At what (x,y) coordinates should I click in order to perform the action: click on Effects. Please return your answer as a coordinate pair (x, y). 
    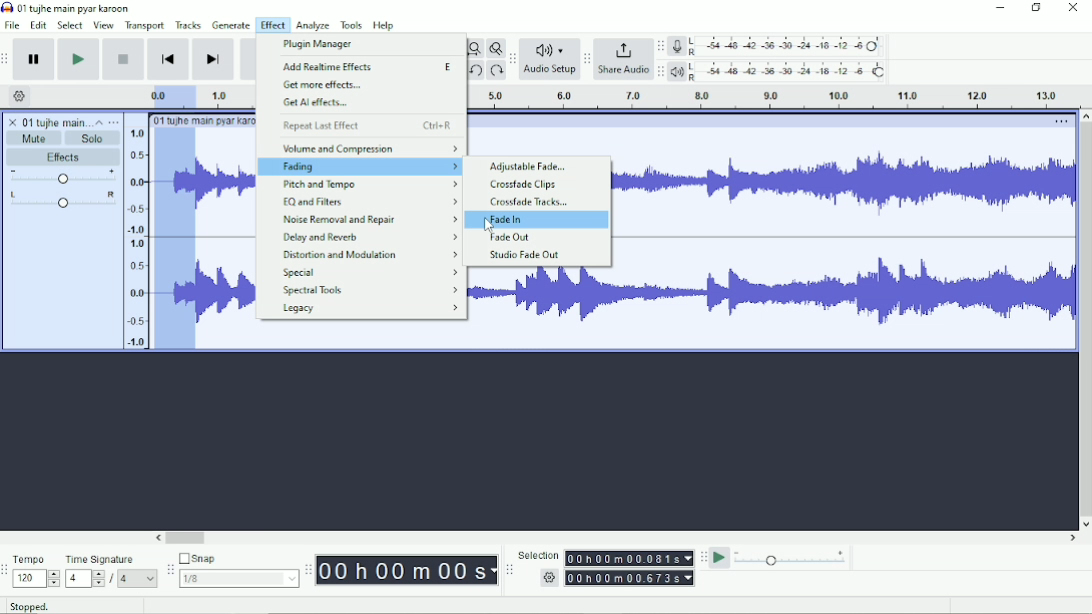
    Looking at the image, I should click on (63, 158).